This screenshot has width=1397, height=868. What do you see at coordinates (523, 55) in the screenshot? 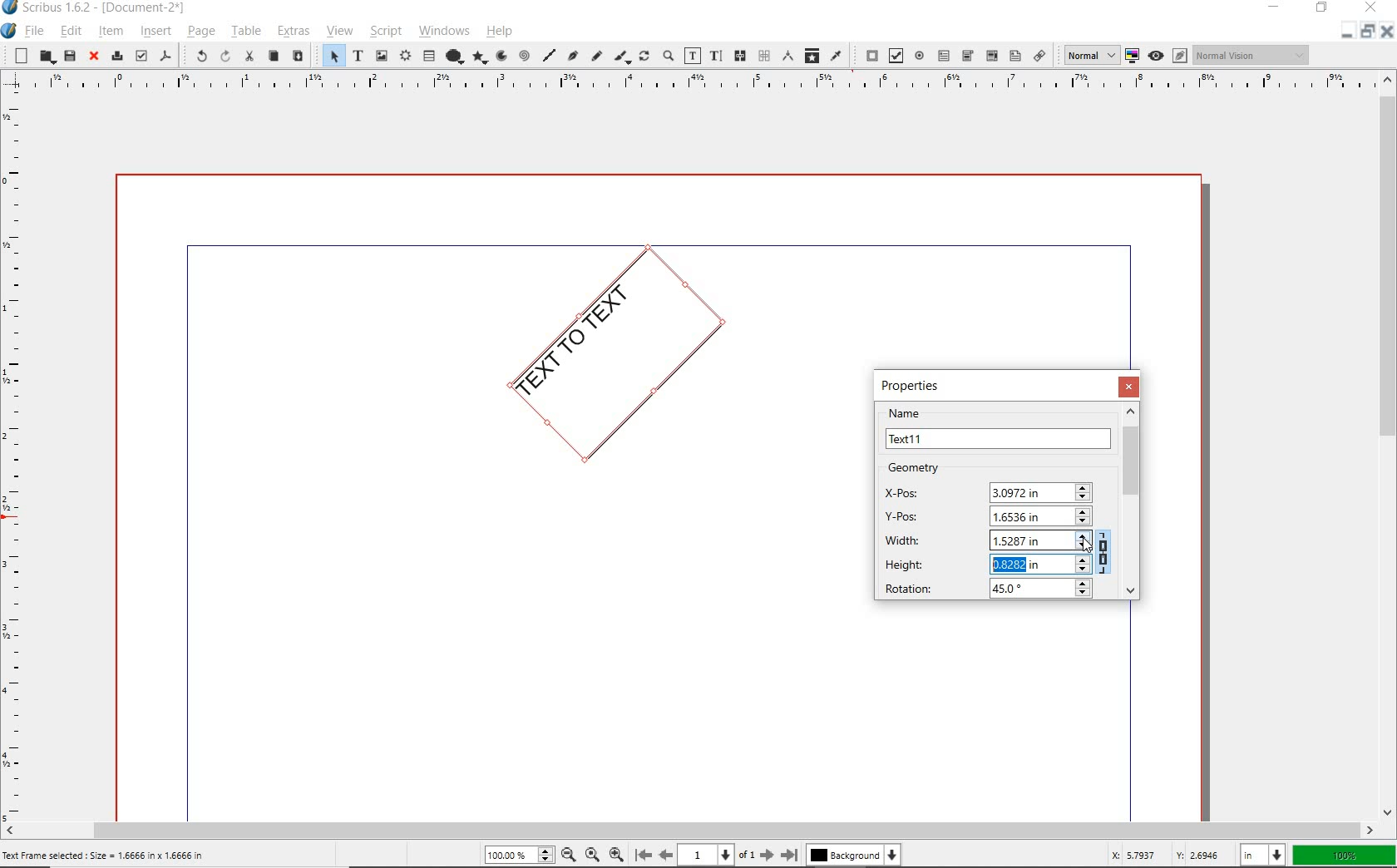
I see `spiral` at bounding box center [523, 55].